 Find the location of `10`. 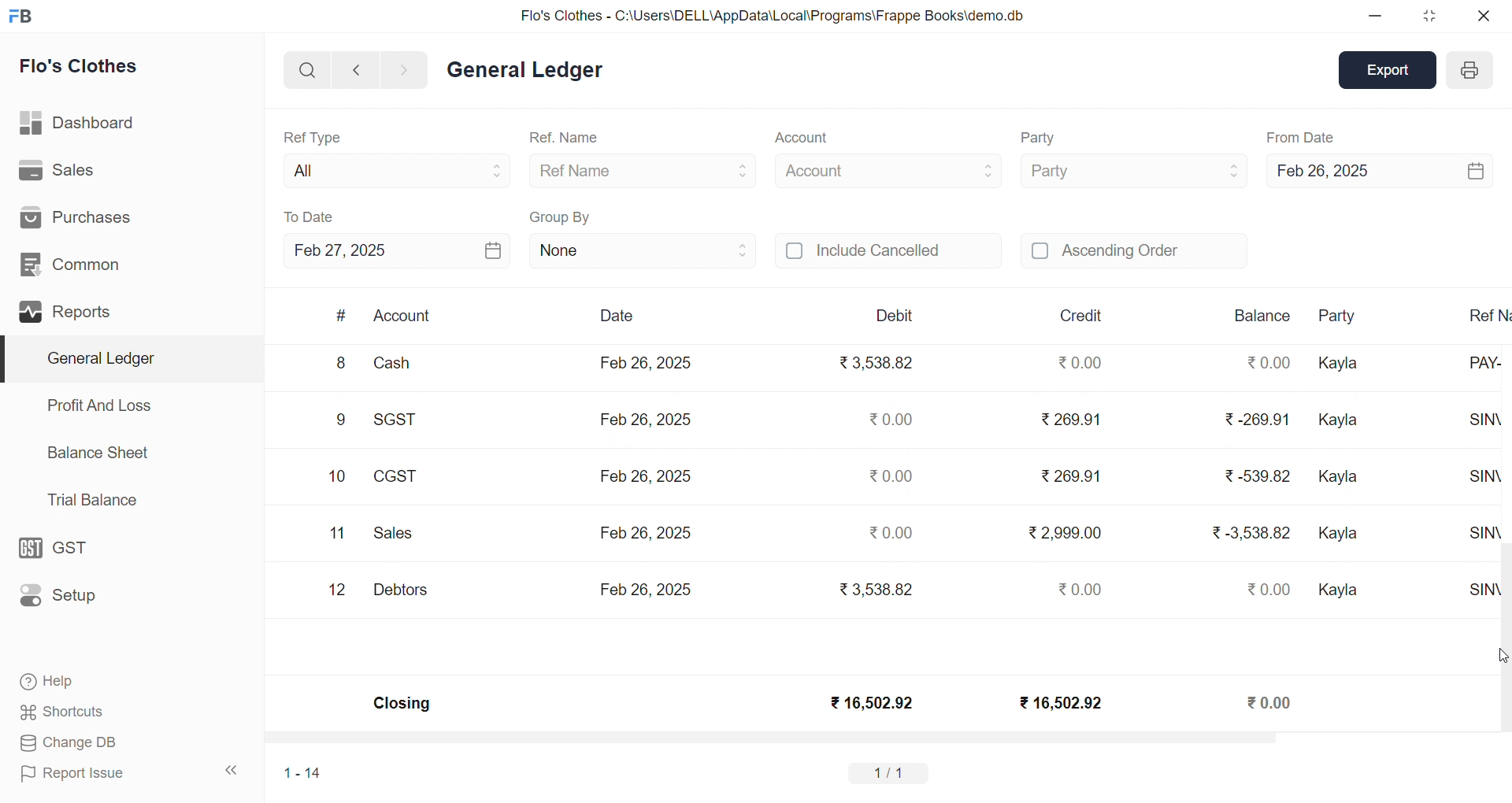

10 is located at coordinates (337, 477).